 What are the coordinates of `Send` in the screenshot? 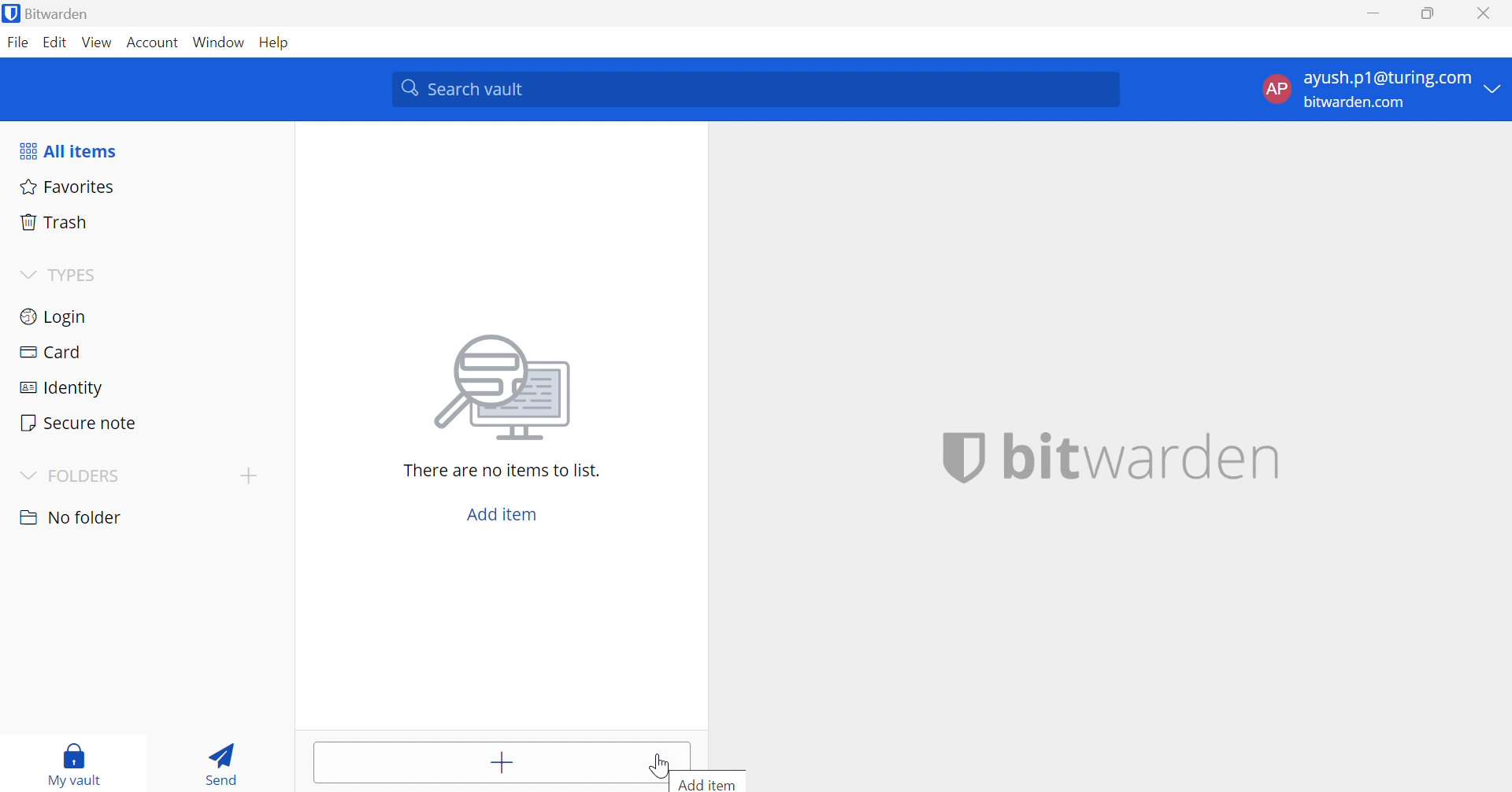 It's located at (224, 761).